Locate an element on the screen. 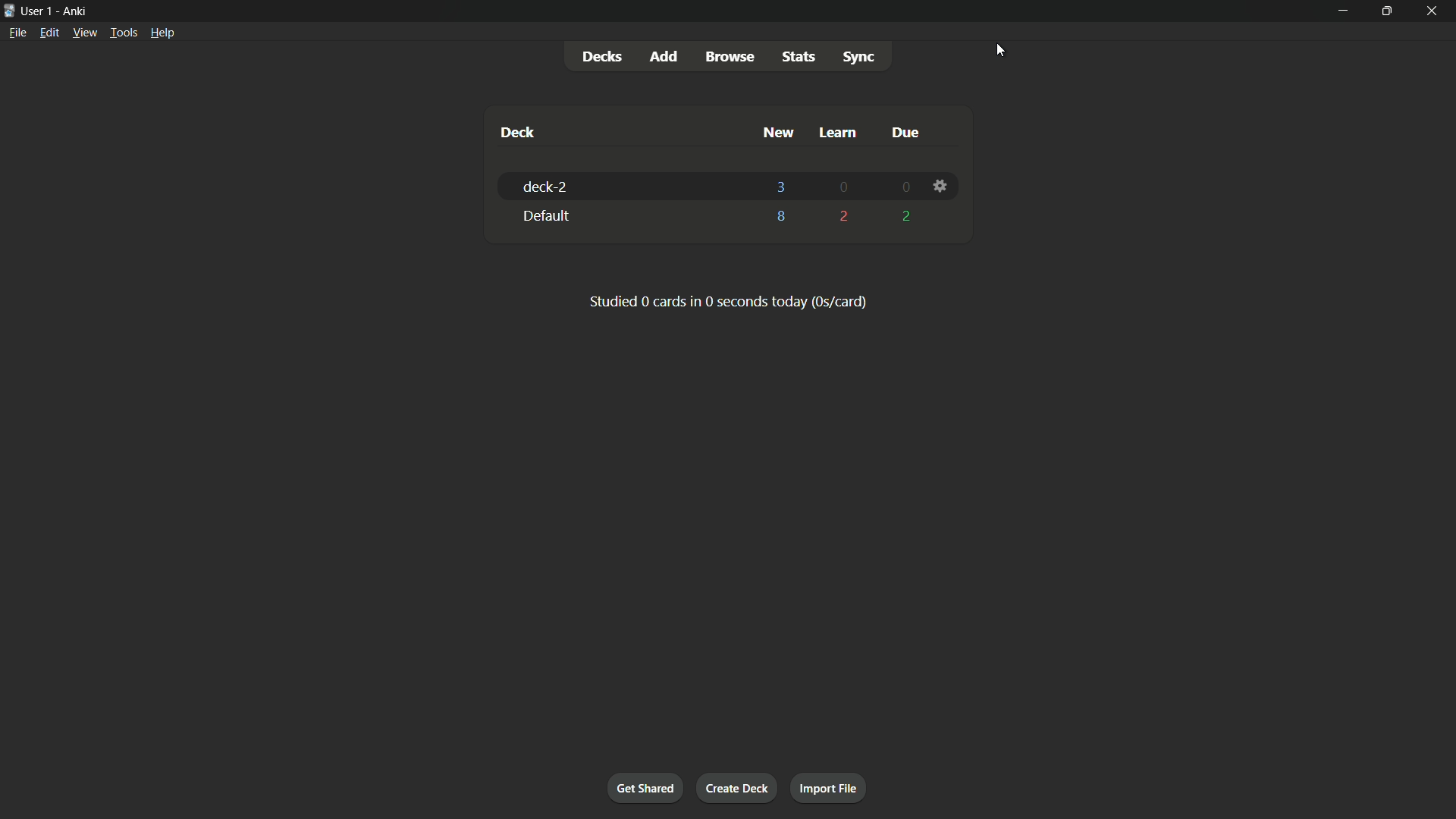 The image size is (1456, 819). 2 is located at coordinates (903, 216).